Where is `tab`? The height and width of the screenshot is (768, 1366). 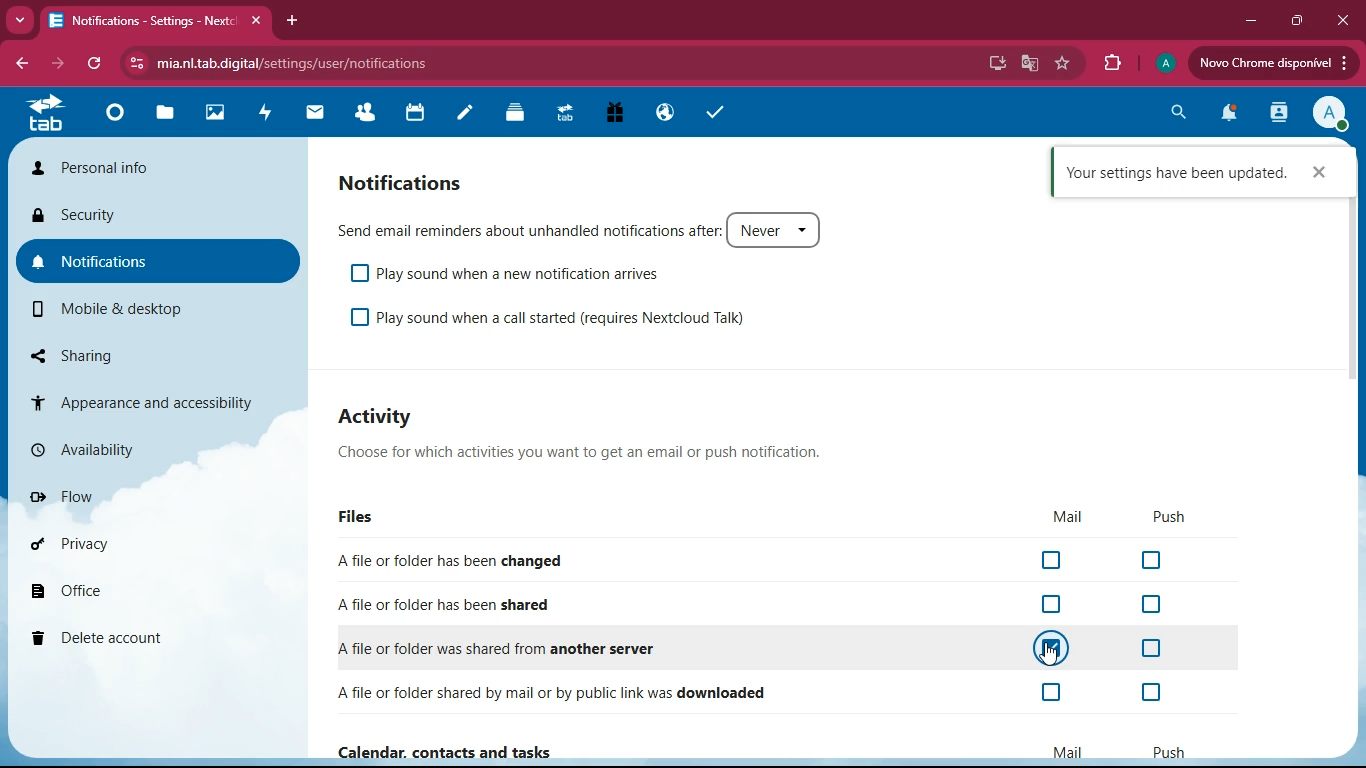 tab is located at coordinates (44, 115).